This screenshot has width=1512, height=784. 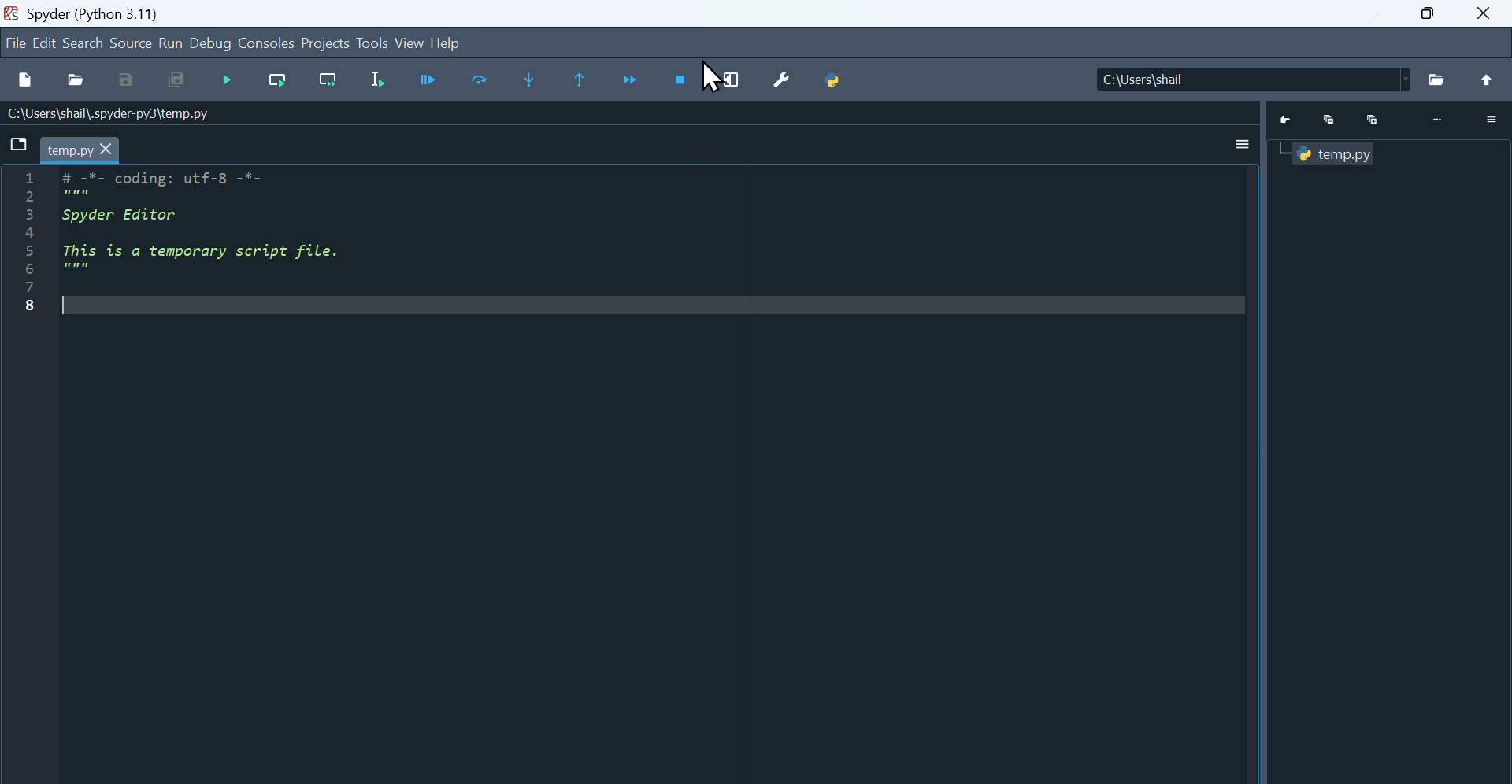 What do you see at coordinates (212, 43) in the screenshot?
I see `Debug` at bounding box center [212, 43].